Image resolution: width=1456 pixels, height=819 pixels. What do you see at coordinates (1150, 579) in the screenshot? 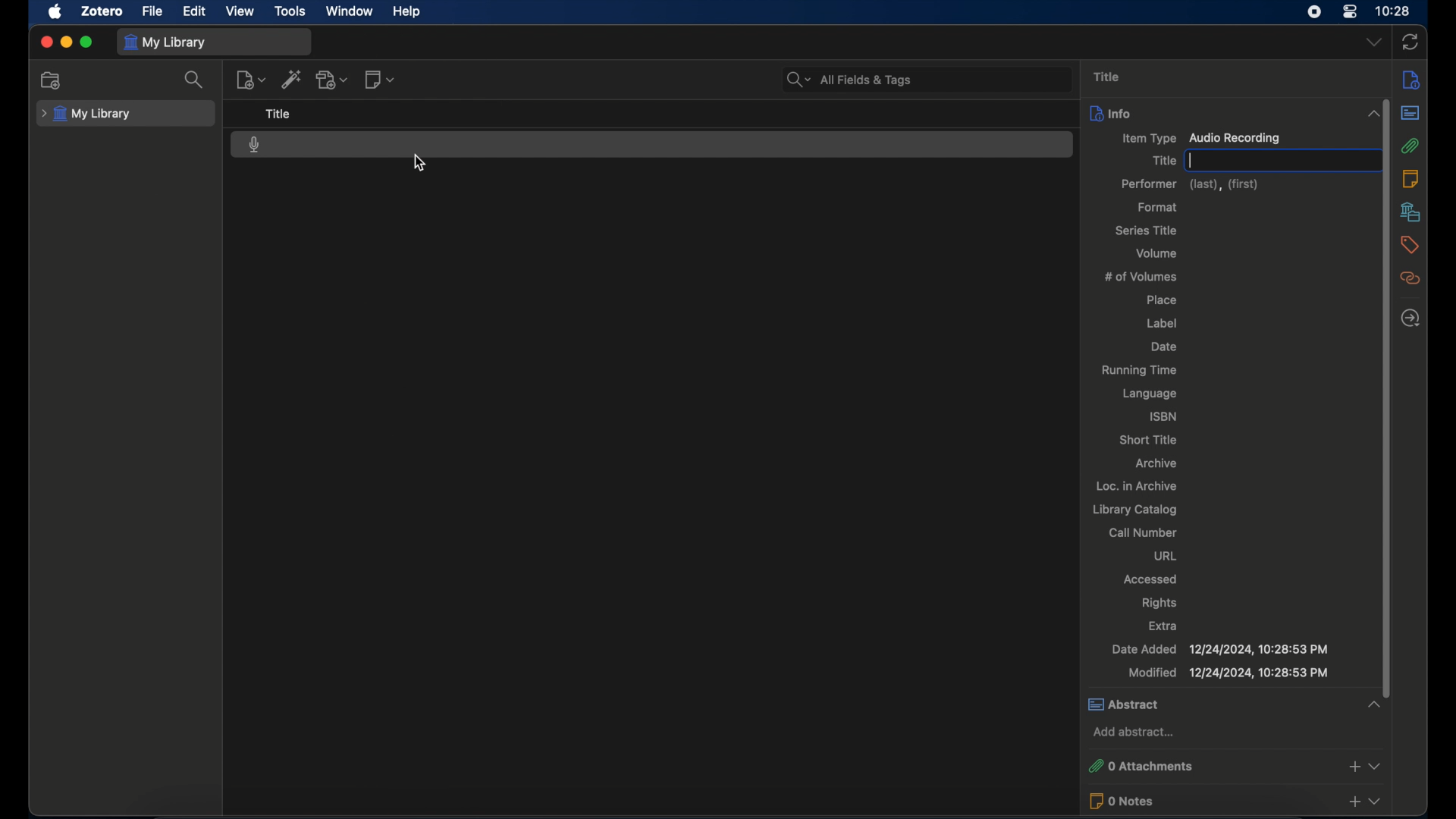
I see `accessed` at bounding box center [1150, 579].